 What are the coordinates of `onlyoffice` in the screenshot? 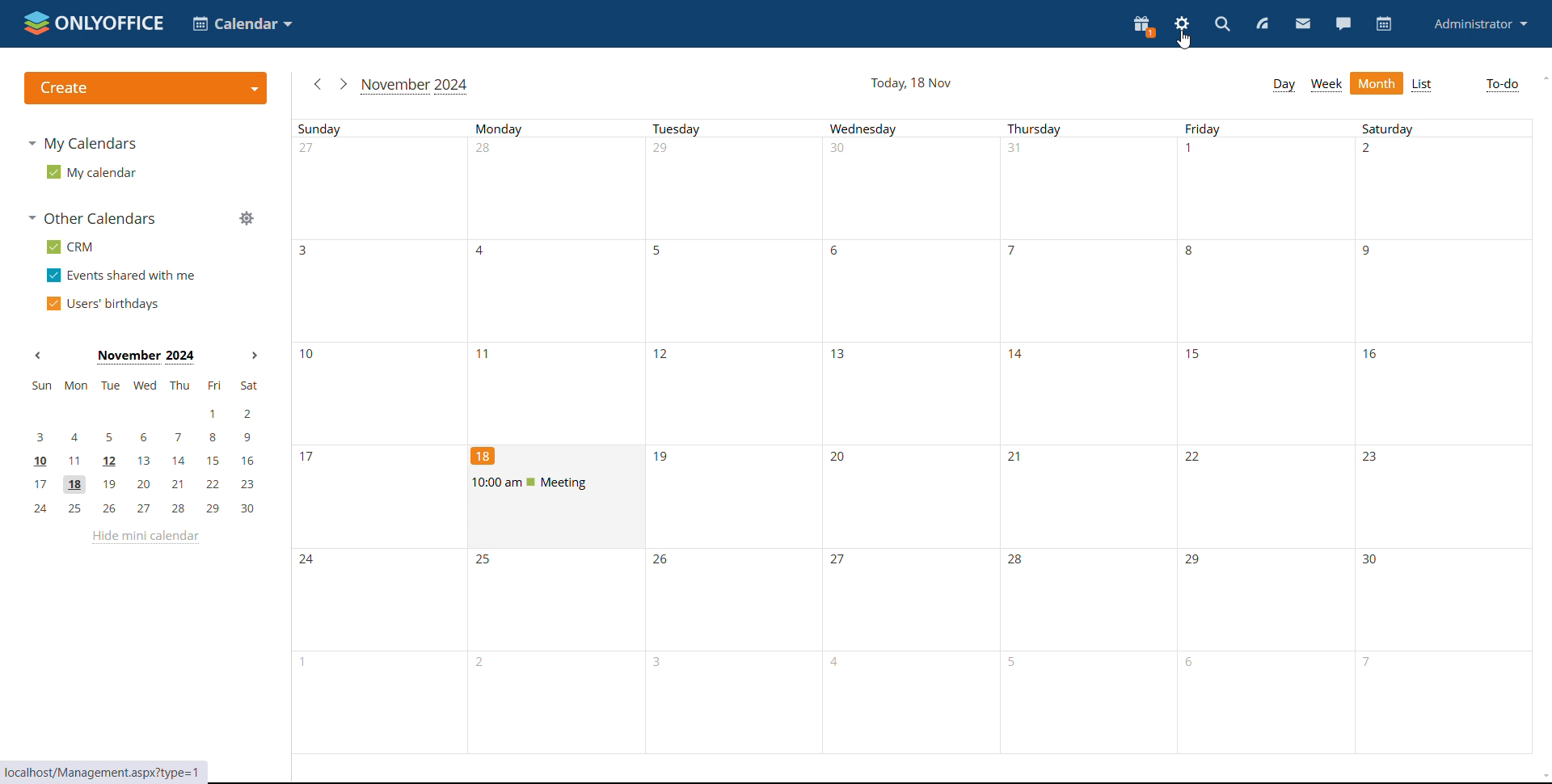 It's located at (120, 24).